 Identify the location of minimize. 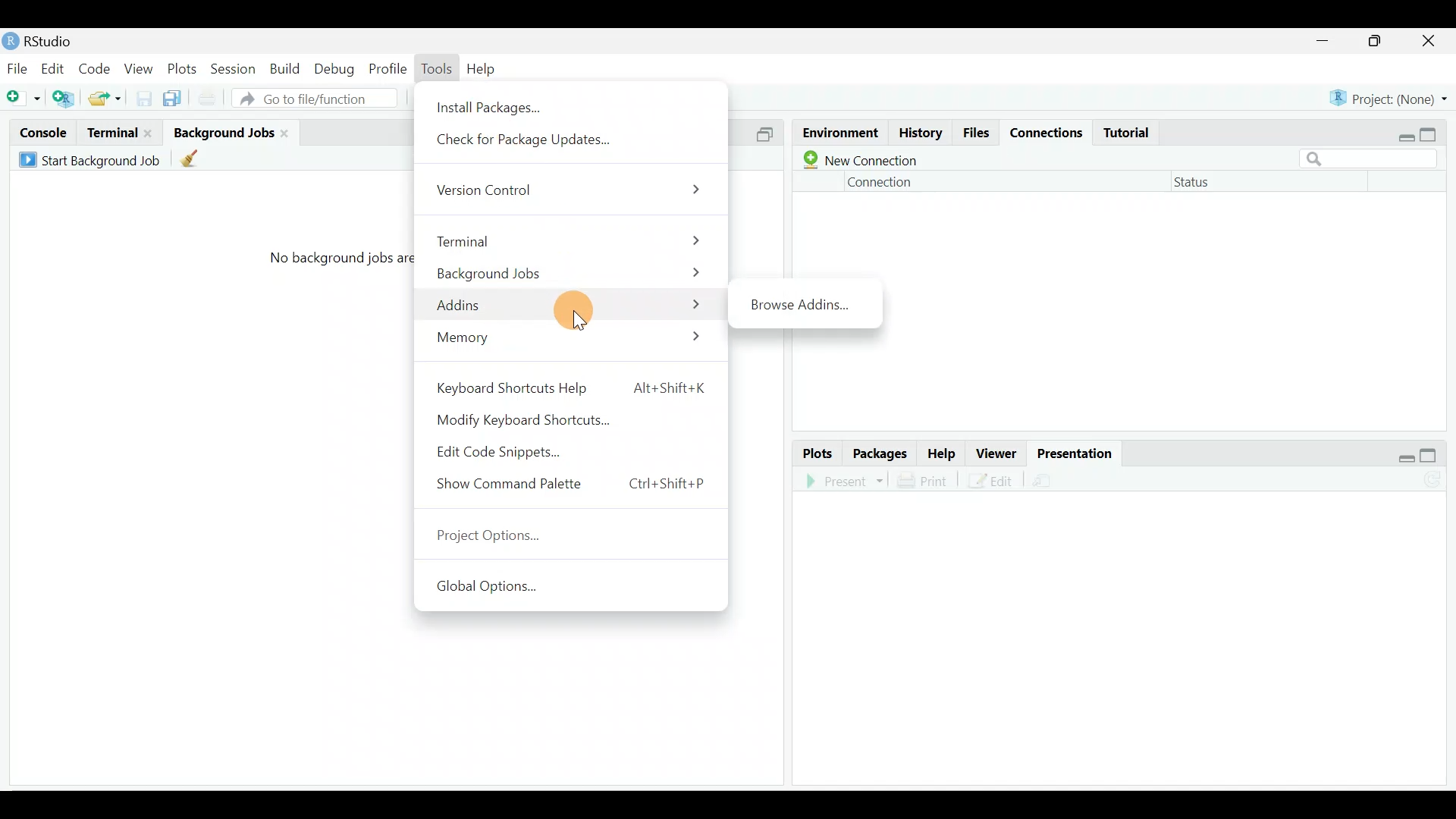
(1330, 42).